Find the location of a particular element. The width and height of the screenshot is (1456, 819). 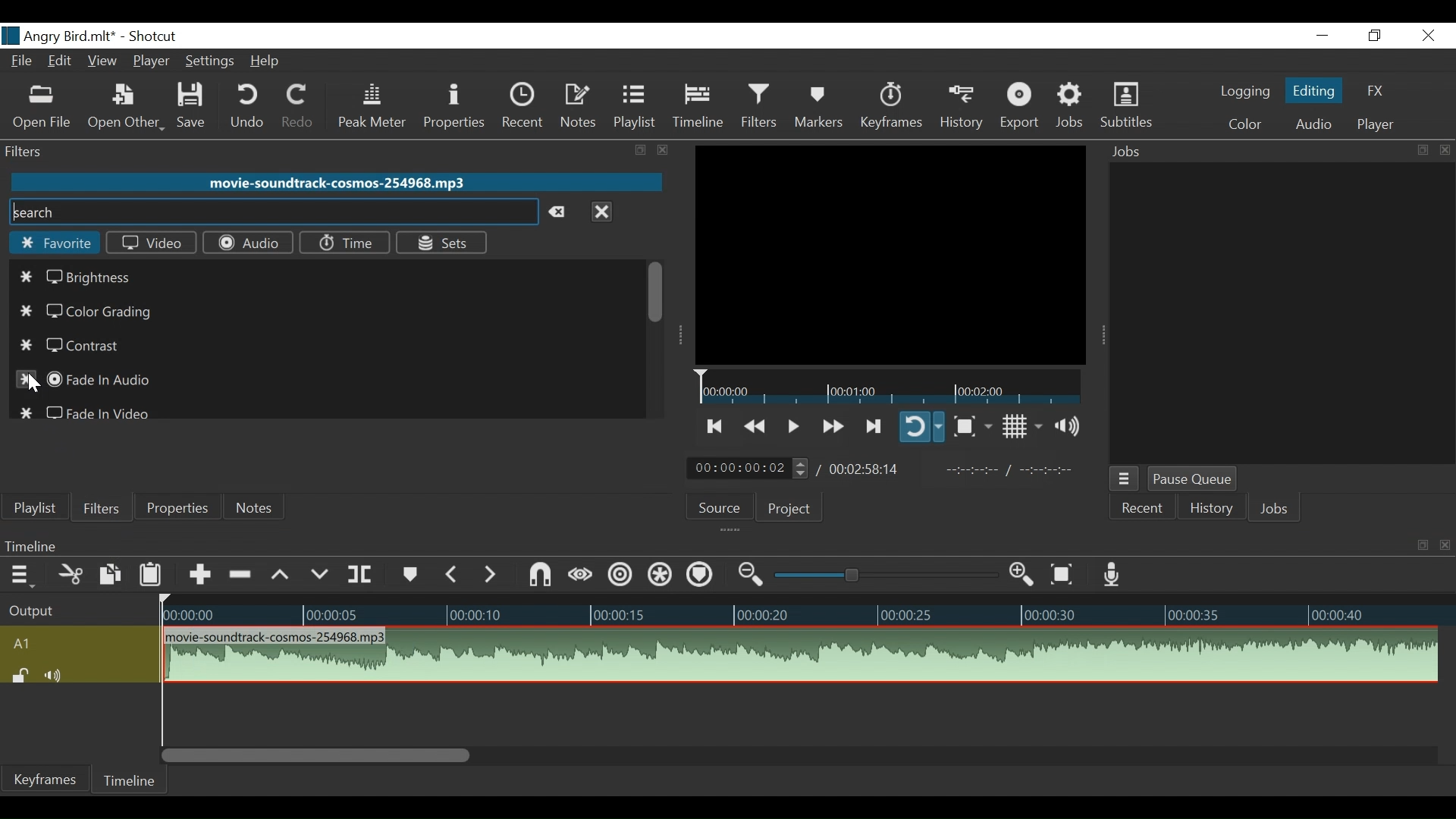

Source is located at coordinates (722, 507).